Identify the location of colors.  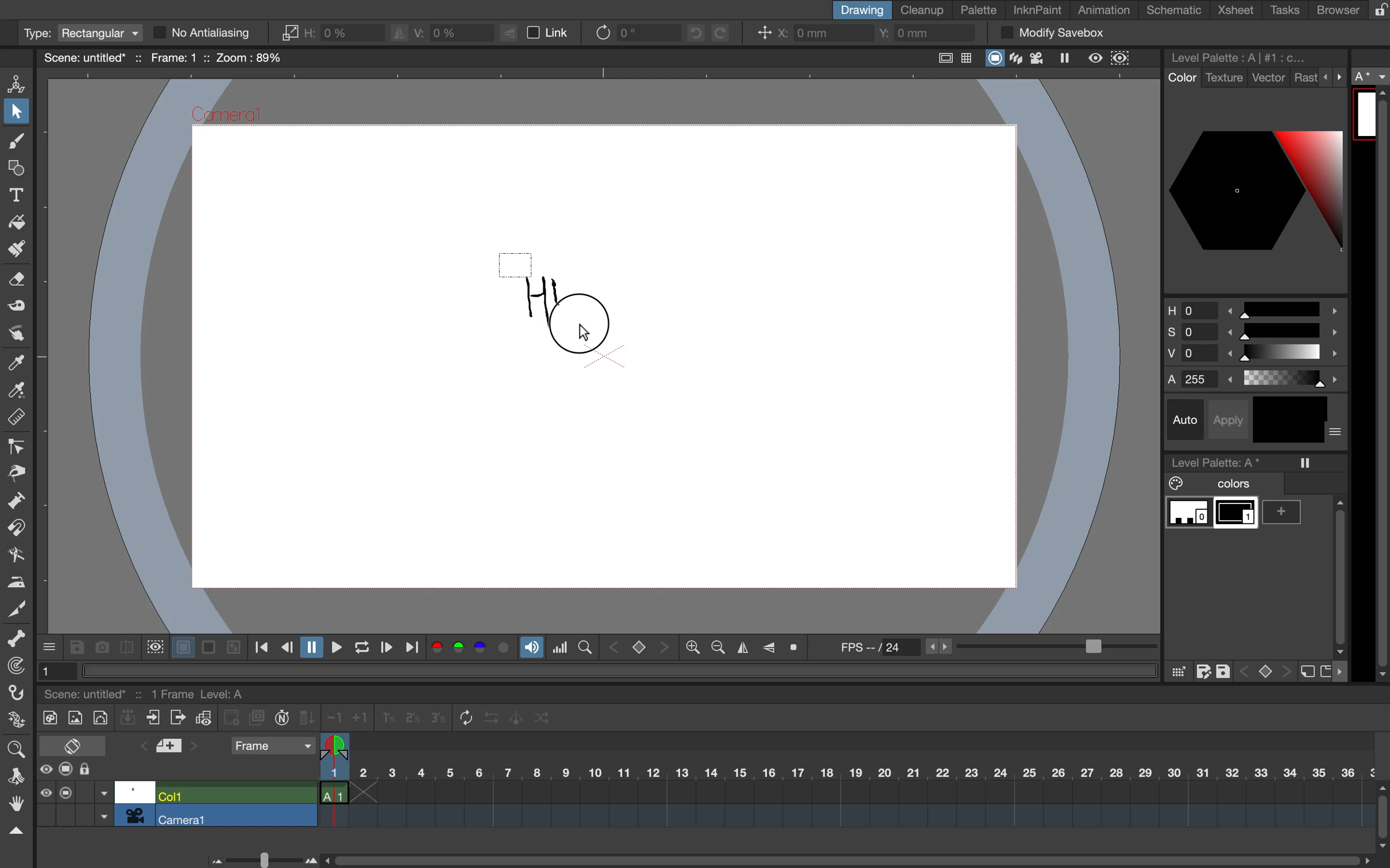
(472, 649).